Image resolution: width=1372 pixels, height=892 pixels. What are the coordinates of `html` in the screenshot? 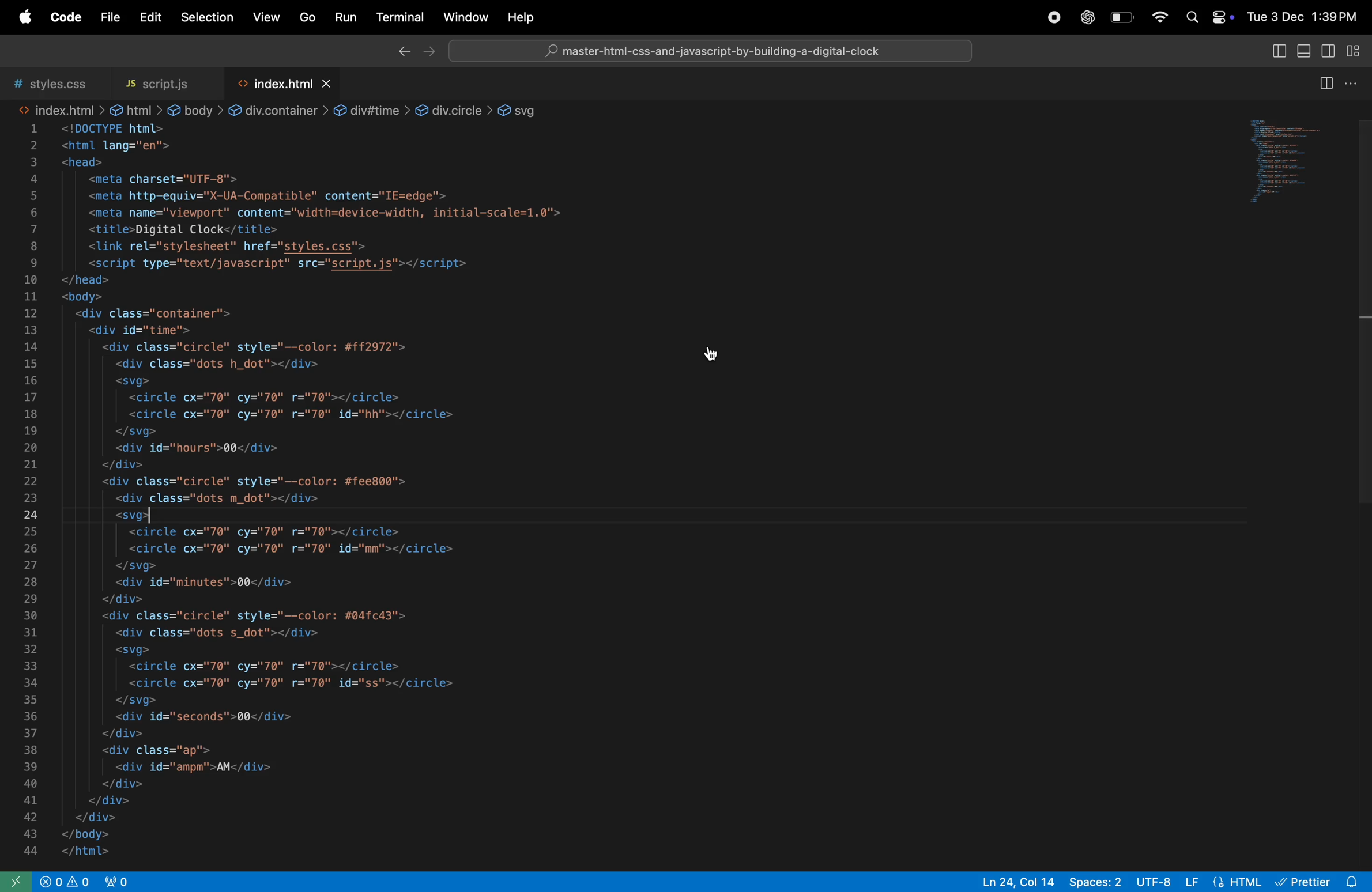 It's located at (134, 109).